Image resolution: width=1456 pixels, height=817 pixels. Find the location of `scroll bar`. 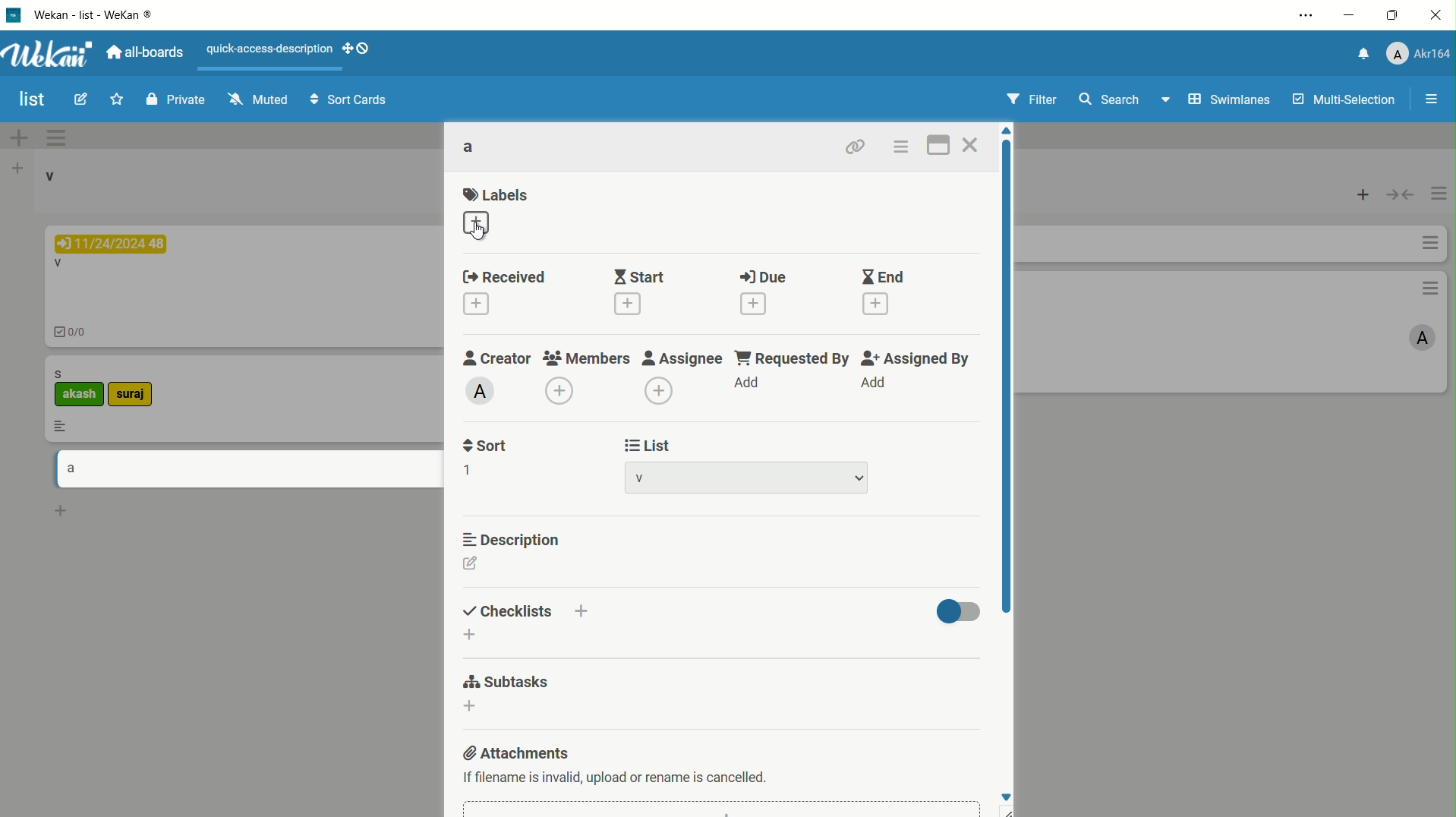

scroll bar is located at coordinates (1005, 376).